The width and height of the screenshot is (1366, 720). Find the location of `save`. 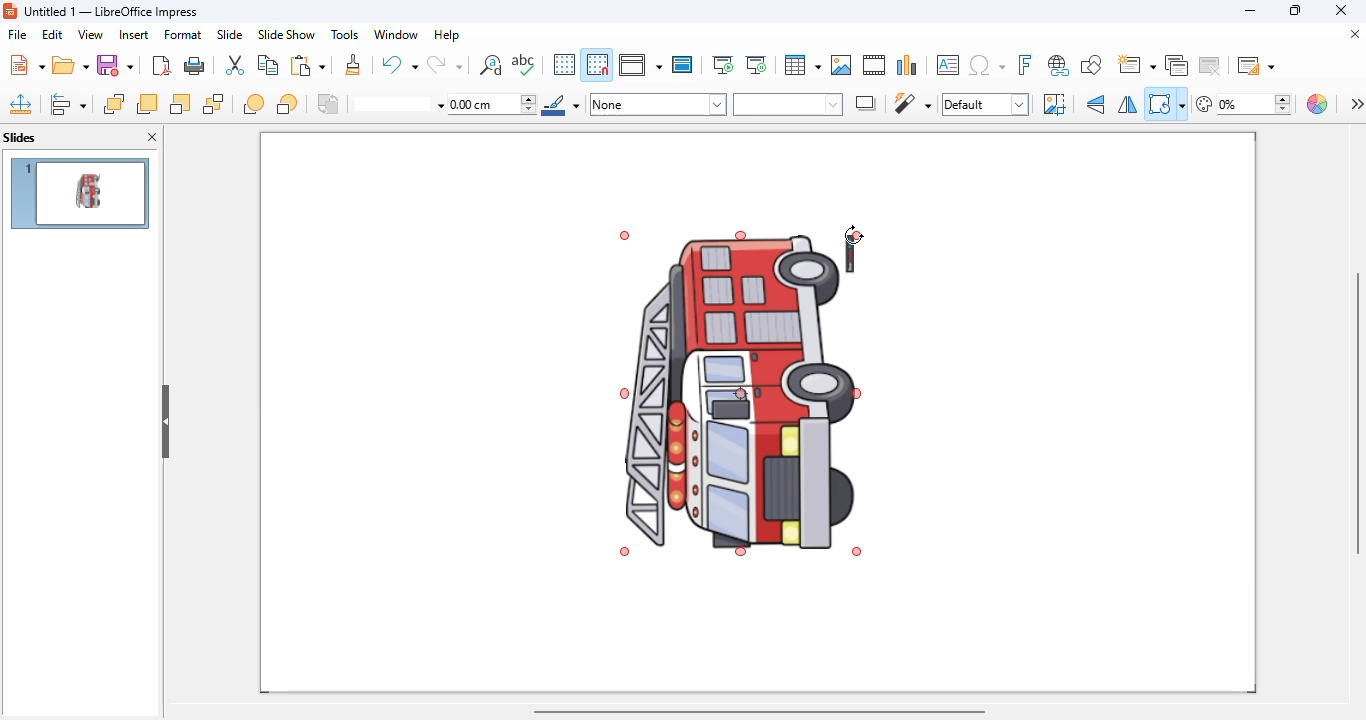

save is located at coordinates (116, 65).